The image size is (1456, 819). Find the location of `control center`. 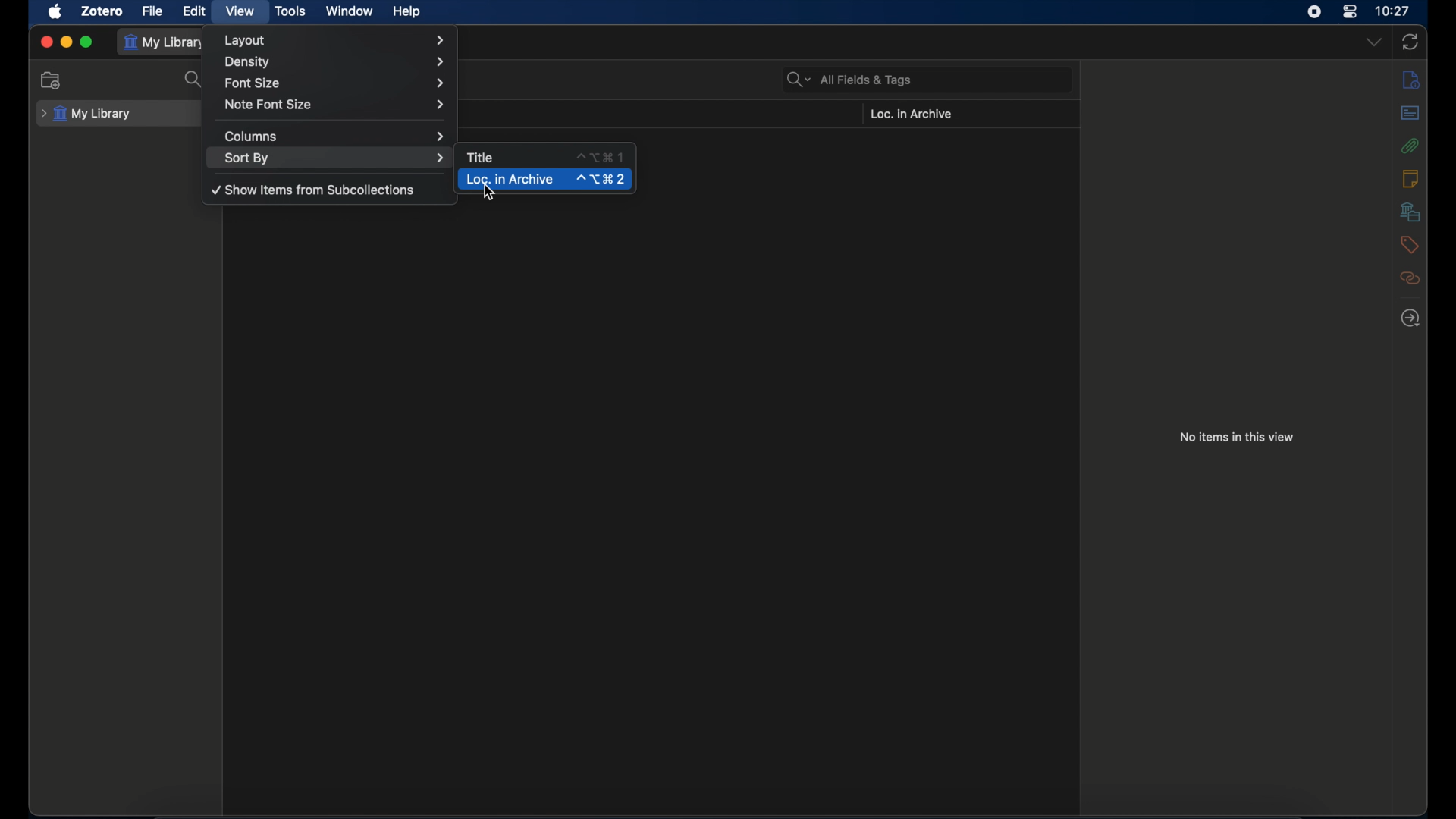

control center is located at coordinates (1350, 12).